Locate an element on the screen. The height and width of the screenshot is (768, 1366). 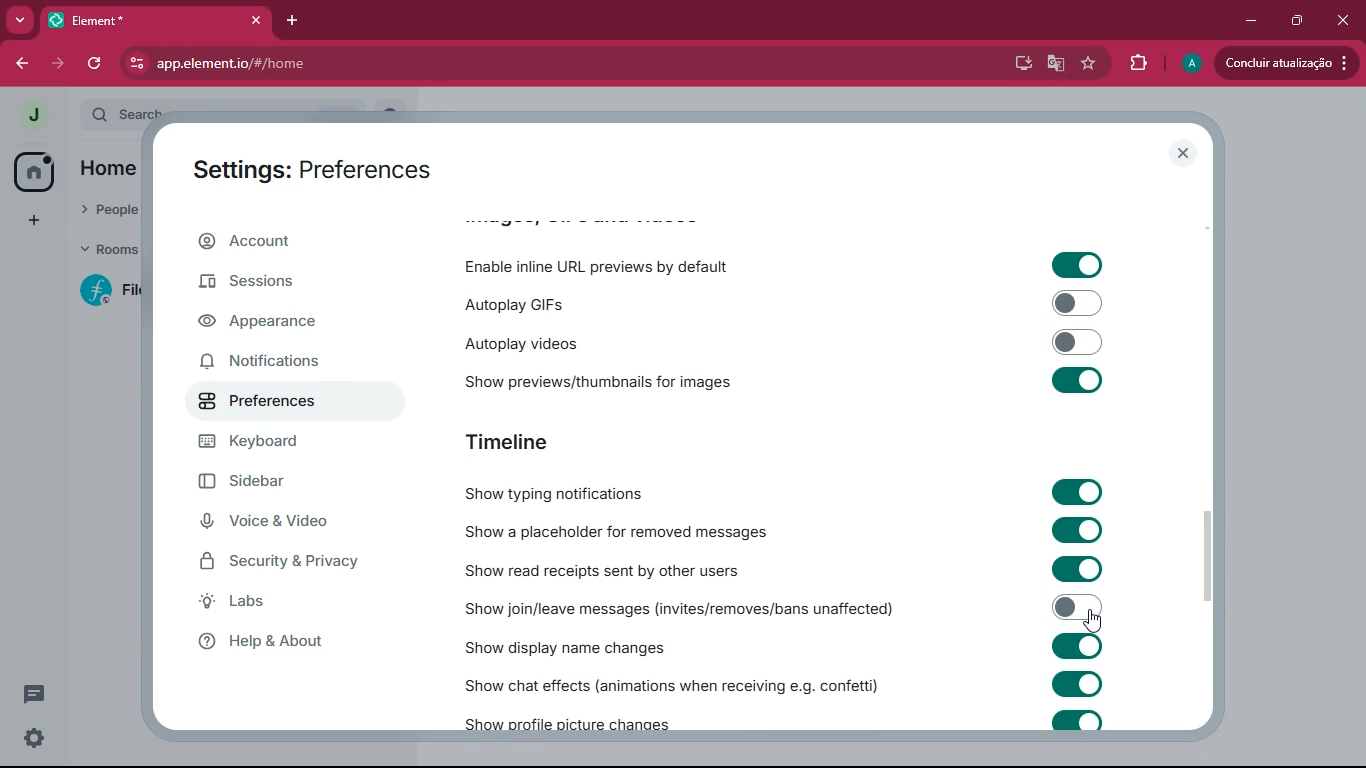
timeline is located at coordinates (546, 441).